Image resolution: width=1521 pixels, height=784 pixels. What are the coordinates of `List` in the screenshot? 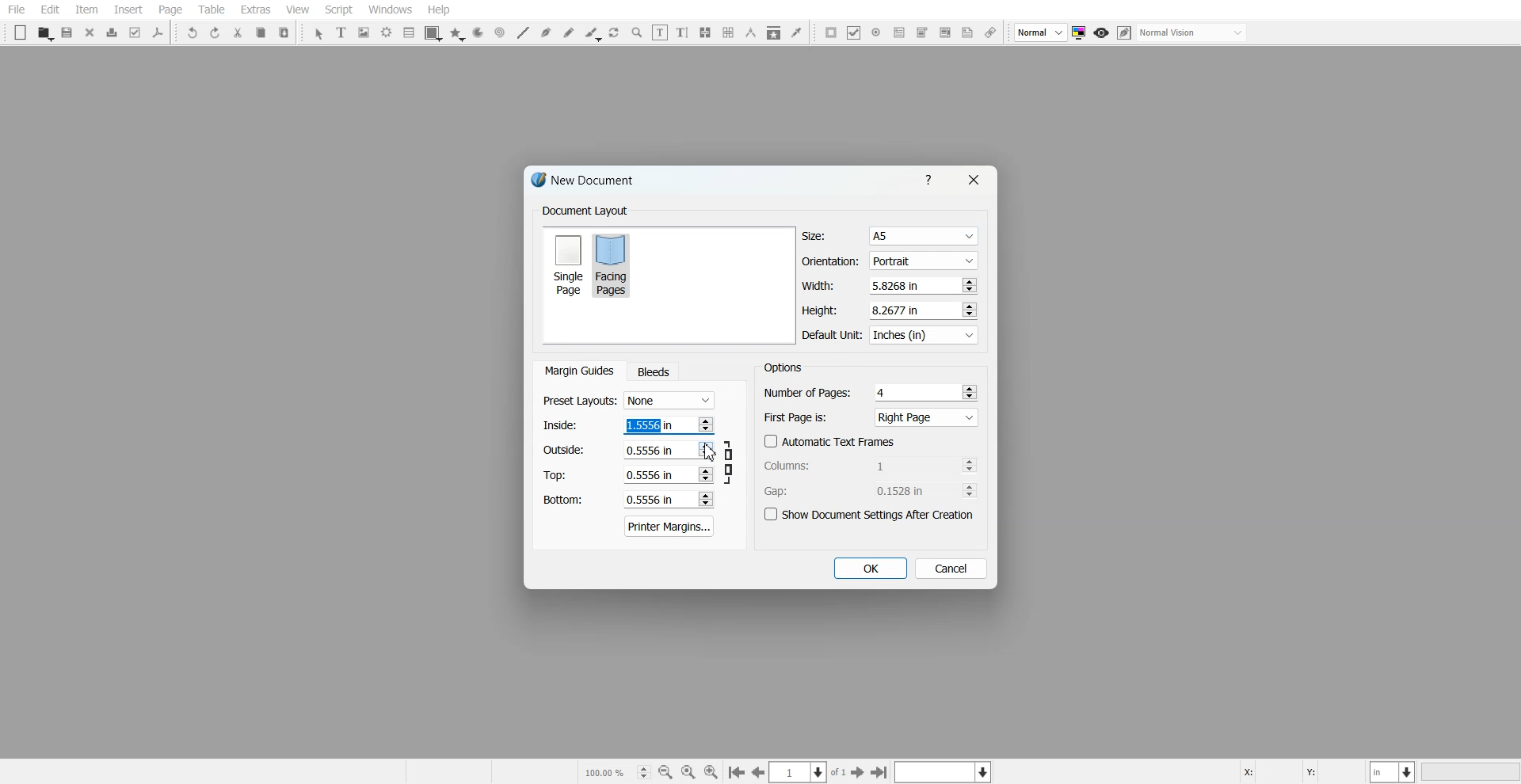 It's located at (410, 32).